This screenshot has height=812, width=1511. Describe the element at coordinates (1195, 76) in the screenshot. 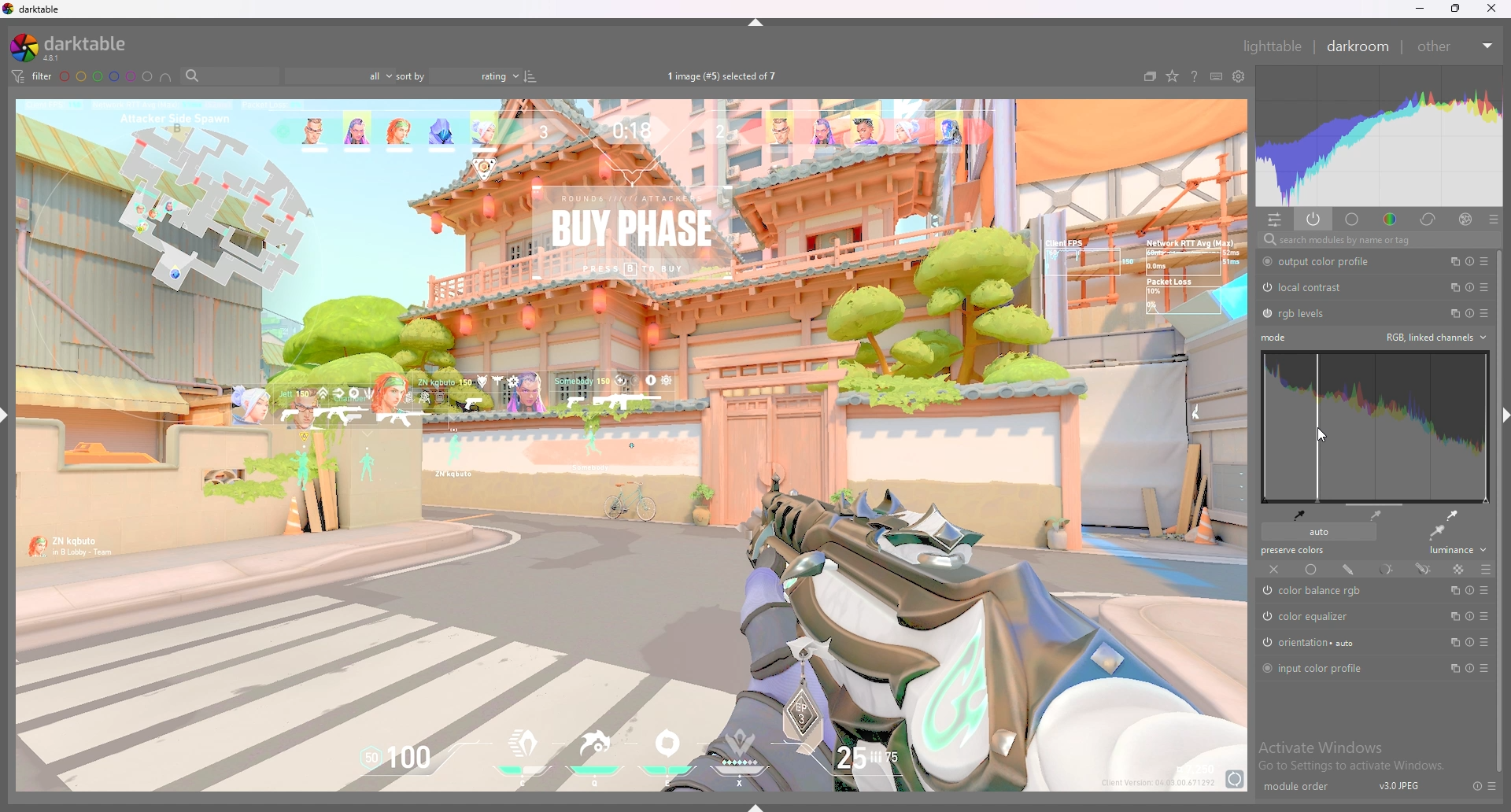

I see `help` at that location.